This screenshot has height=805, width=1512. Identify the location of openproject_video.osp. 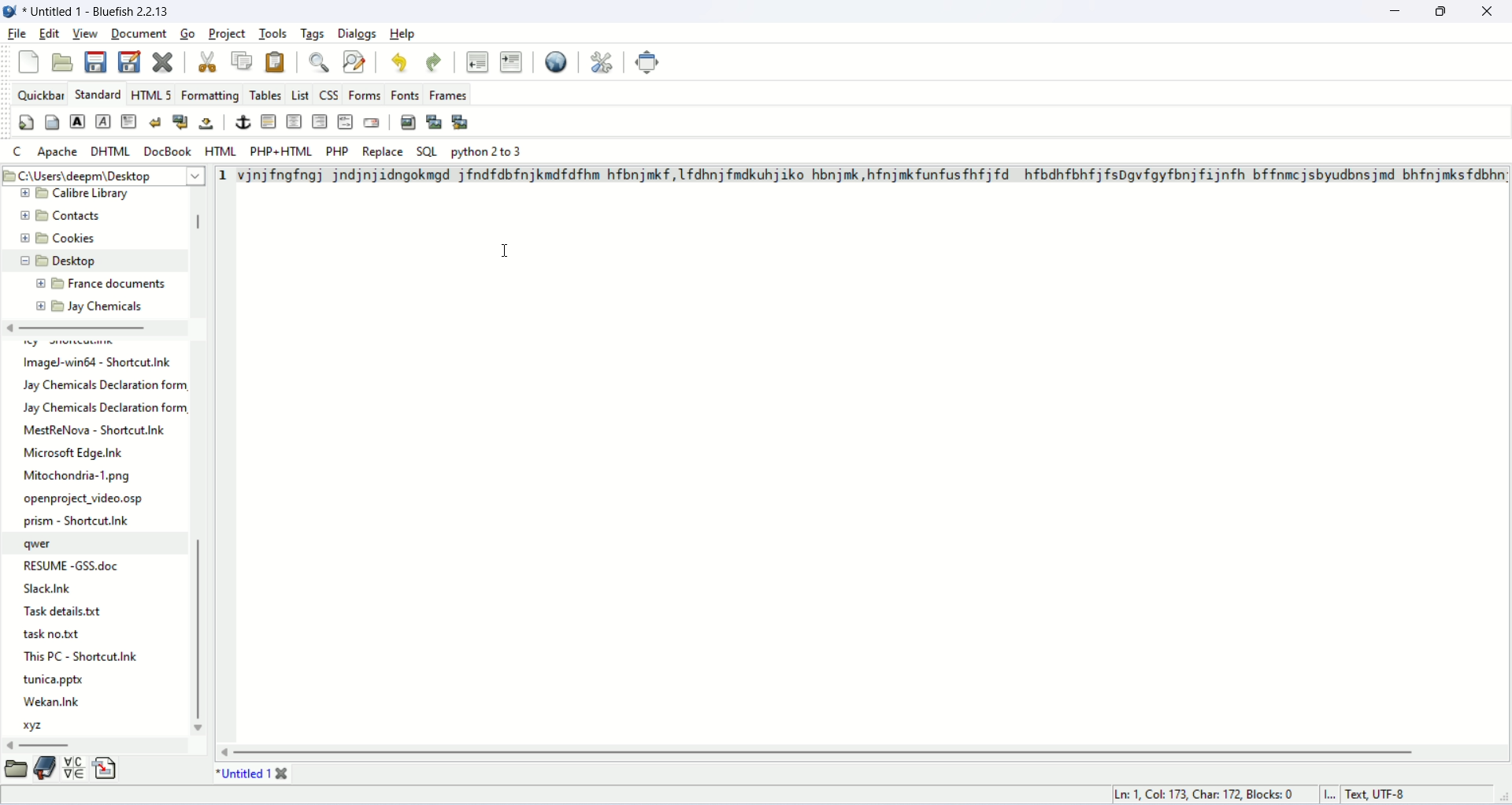
(85, 500).